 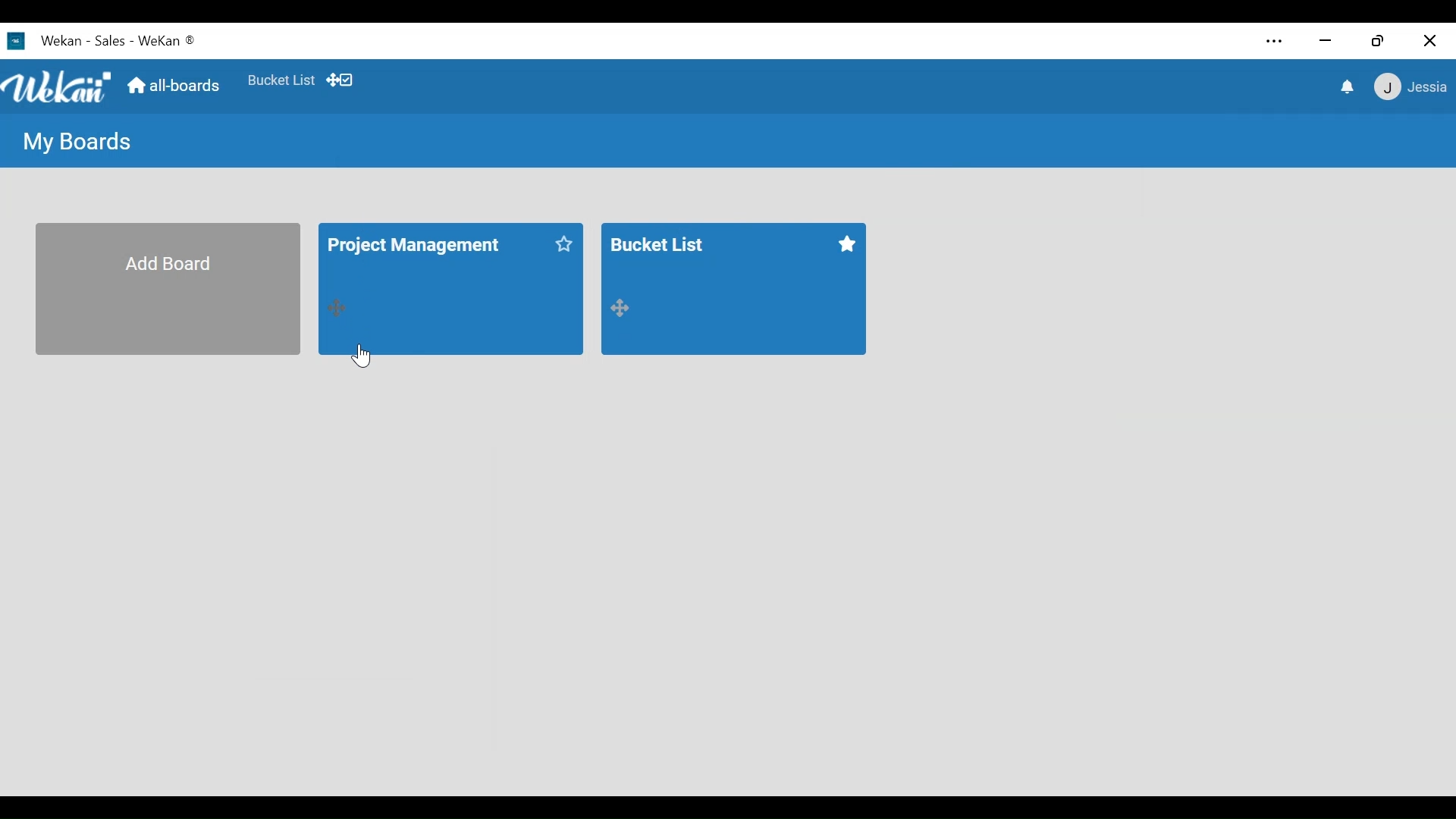 I want to click on bucket list, so click(x=593, y=290).